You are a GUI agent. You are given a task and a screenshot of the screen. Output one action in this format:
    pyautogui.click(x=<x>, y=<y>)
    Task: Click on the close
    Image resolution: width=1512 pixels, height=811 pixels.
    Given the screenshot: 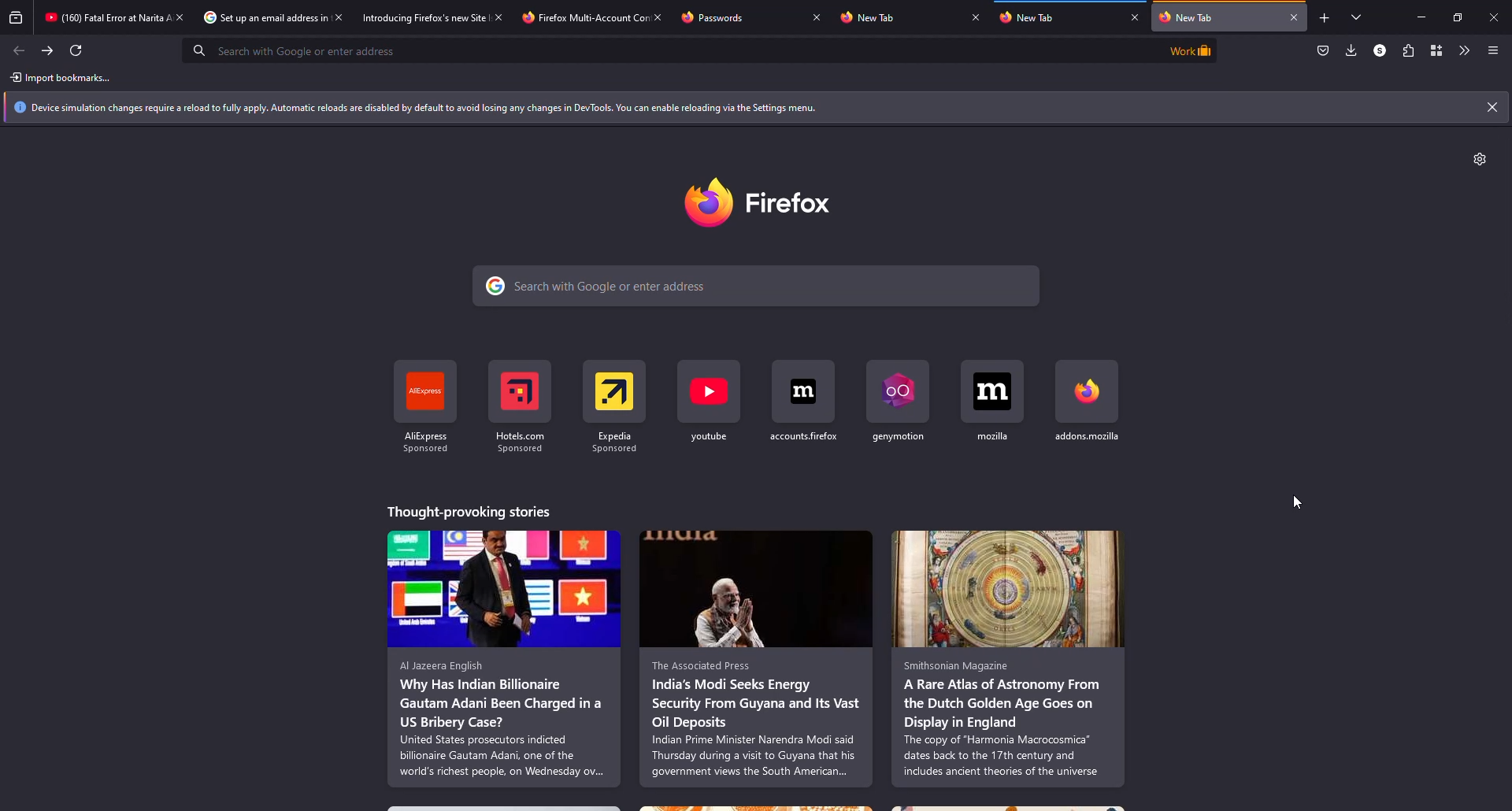 What is the action you would take?
    pyautogui.click(x=1295, y=17)
    